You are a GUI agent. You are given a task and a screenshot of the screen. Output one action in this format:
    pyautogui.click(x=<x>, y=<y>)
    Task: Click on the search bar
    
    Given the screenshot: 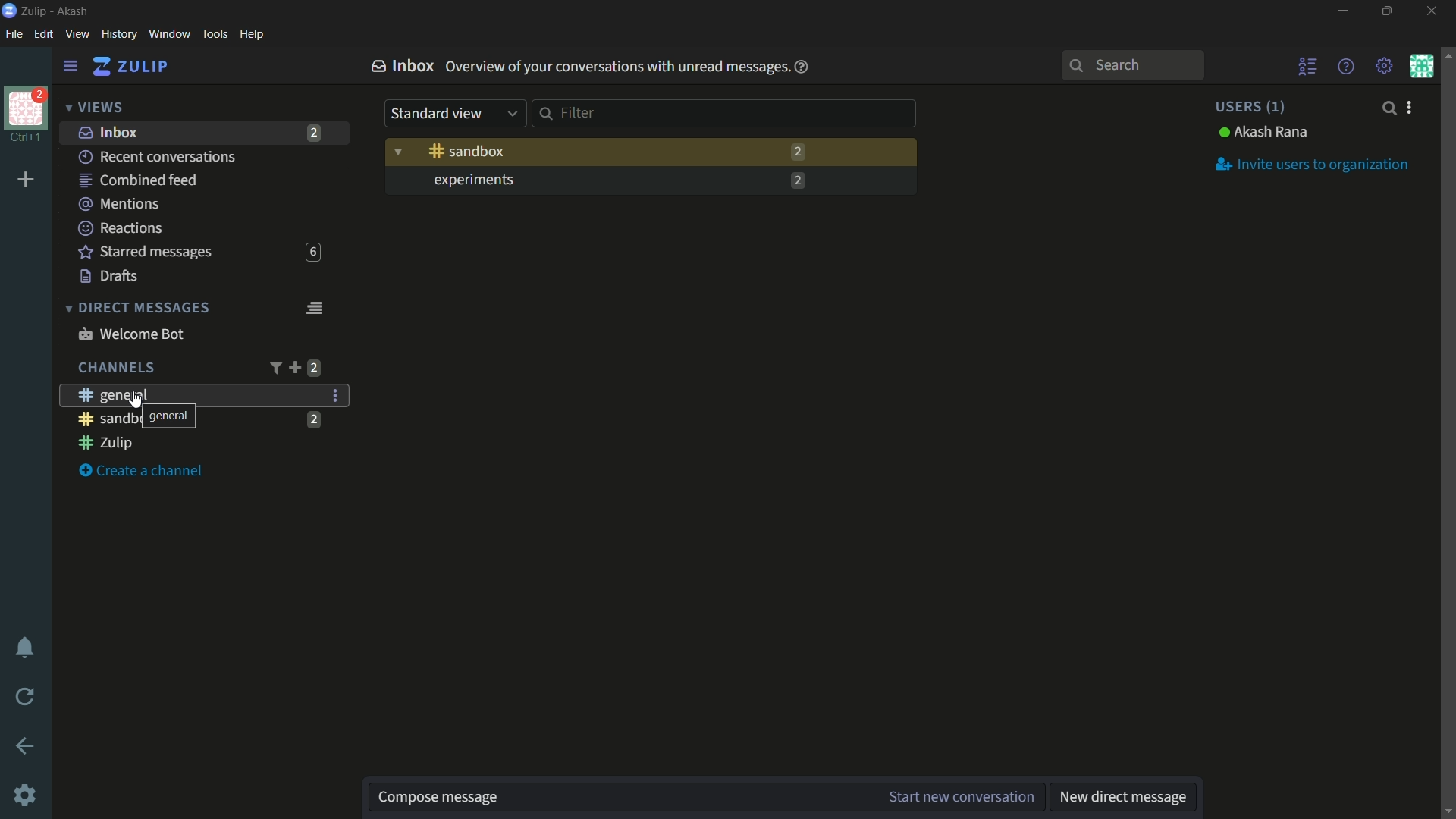 What is the action you would take?
    pyautogui.click(x=1132, y=65)
    